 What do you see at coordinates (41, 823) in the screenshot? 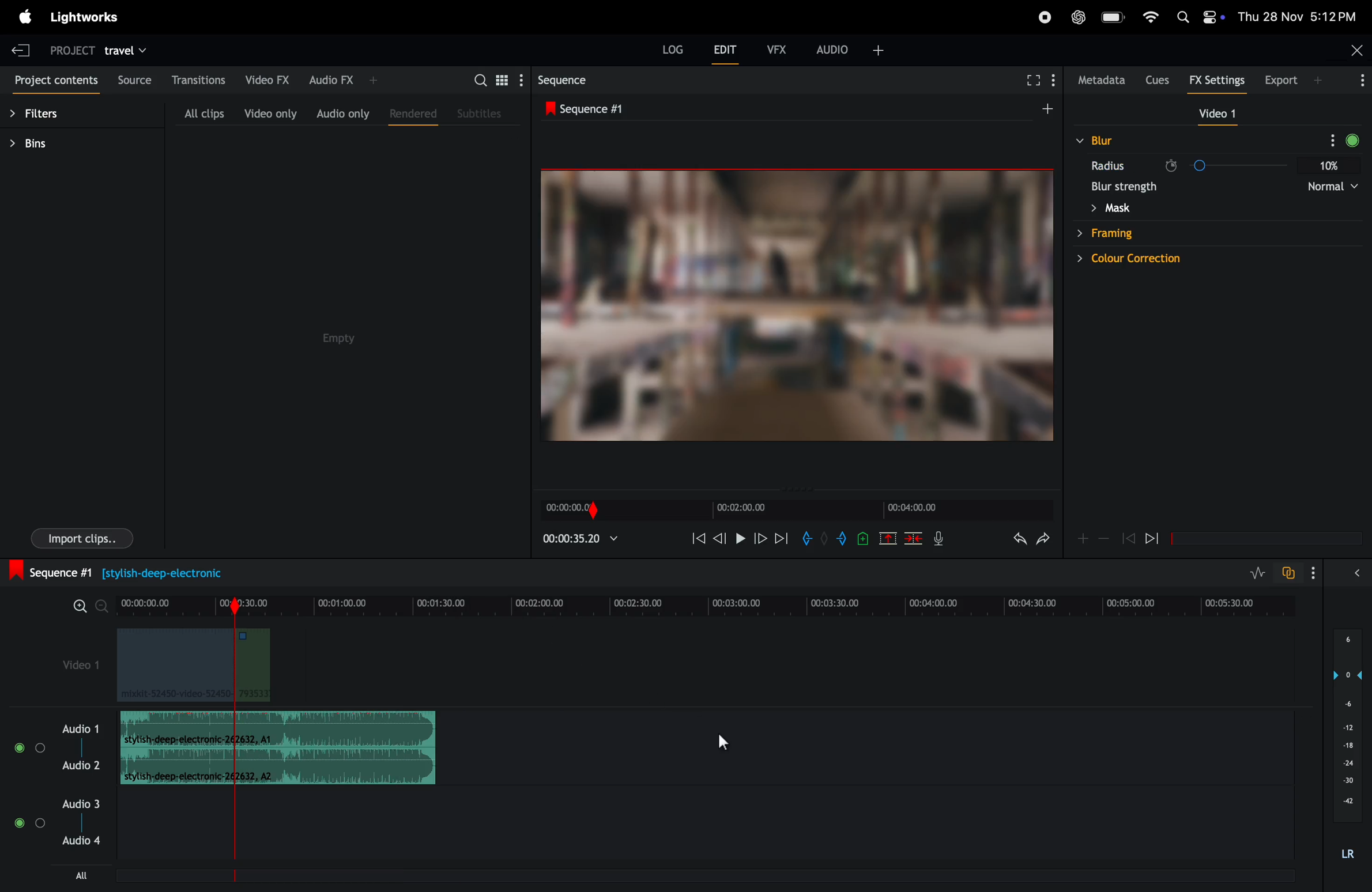
I see `Toggle` at bounding box center [41, 823].